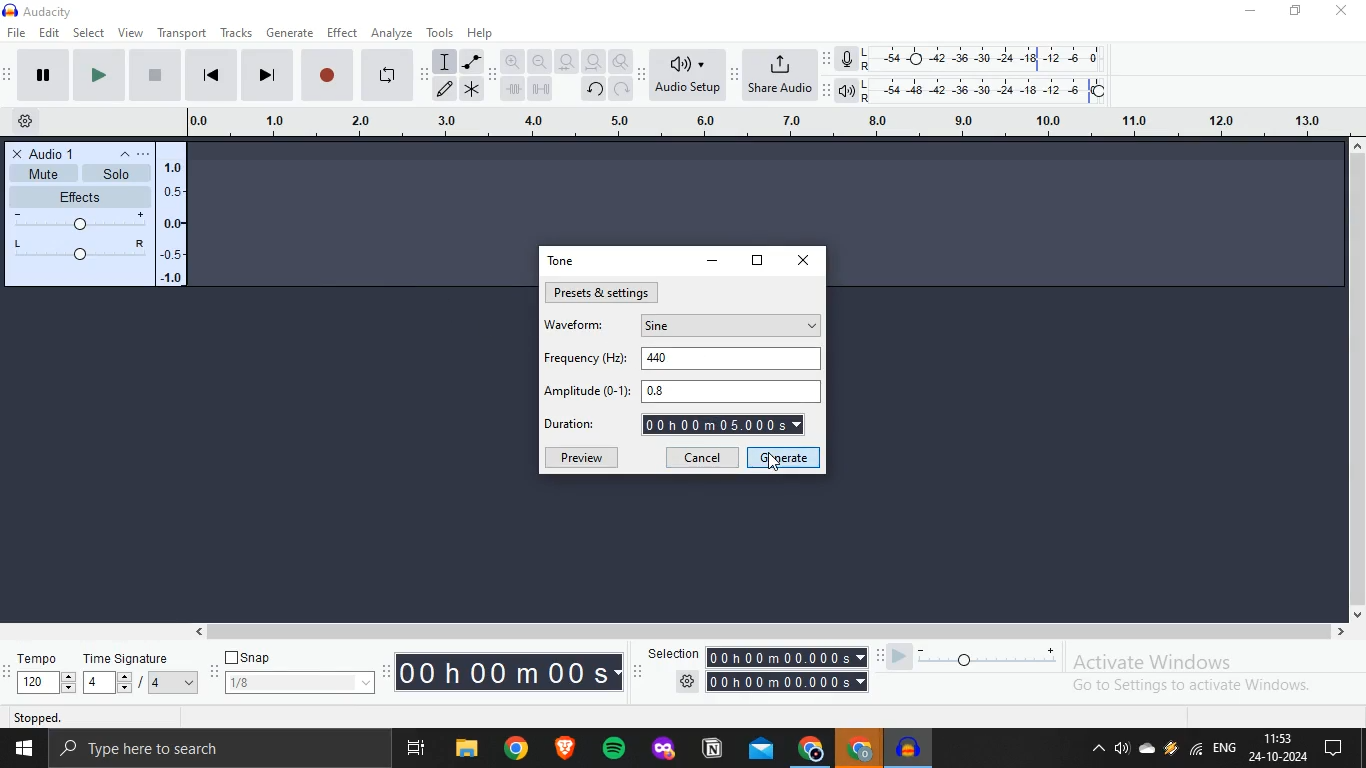 The image size is (1366, 768). What do you see at coordinates (43, 152) in the screenshot?
I see `XAudio` at bounding box center [43, 152].